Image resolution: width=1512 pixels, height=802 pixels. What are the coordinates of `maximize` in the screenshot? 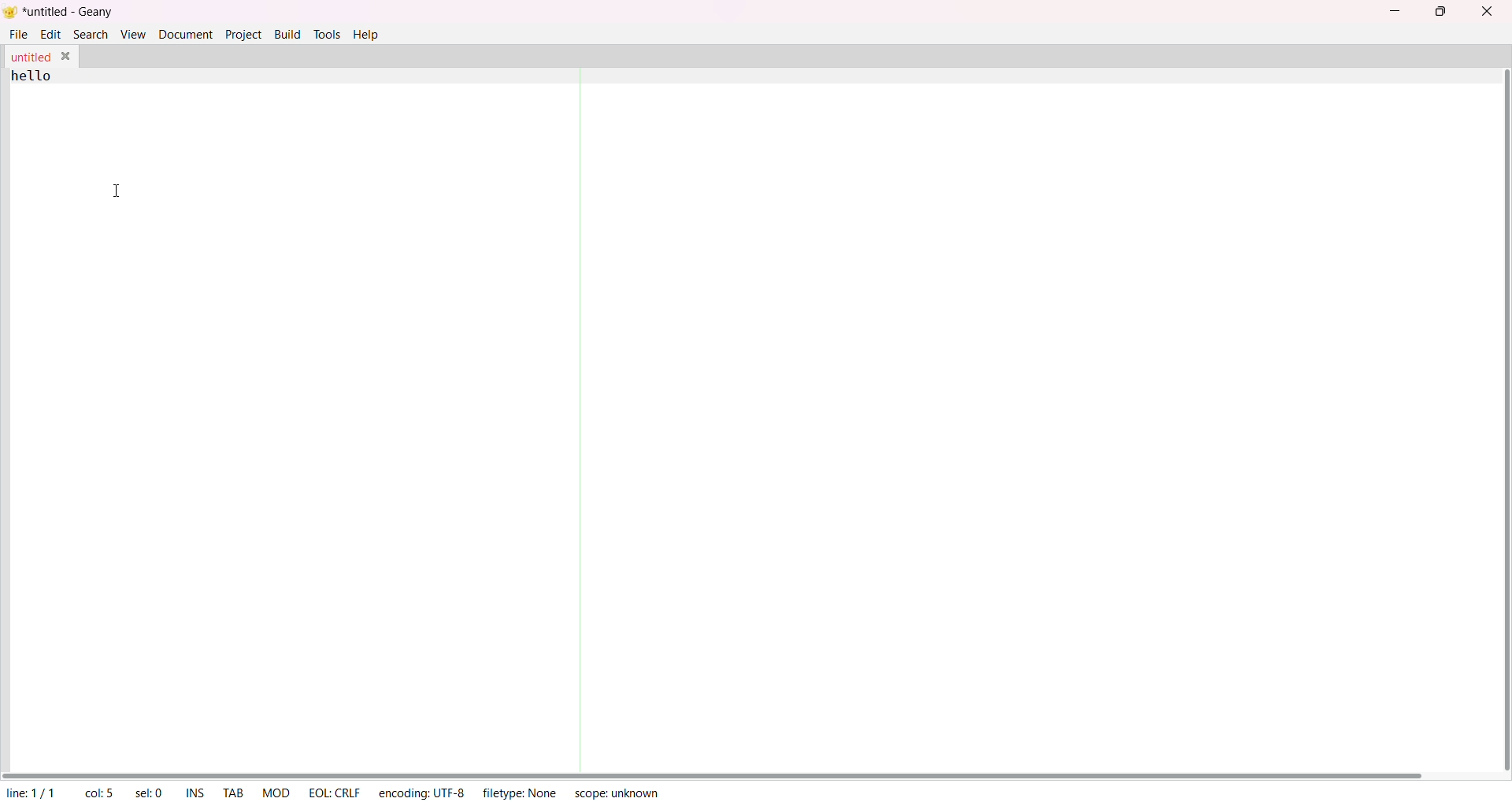 It's located at (1446, 13).